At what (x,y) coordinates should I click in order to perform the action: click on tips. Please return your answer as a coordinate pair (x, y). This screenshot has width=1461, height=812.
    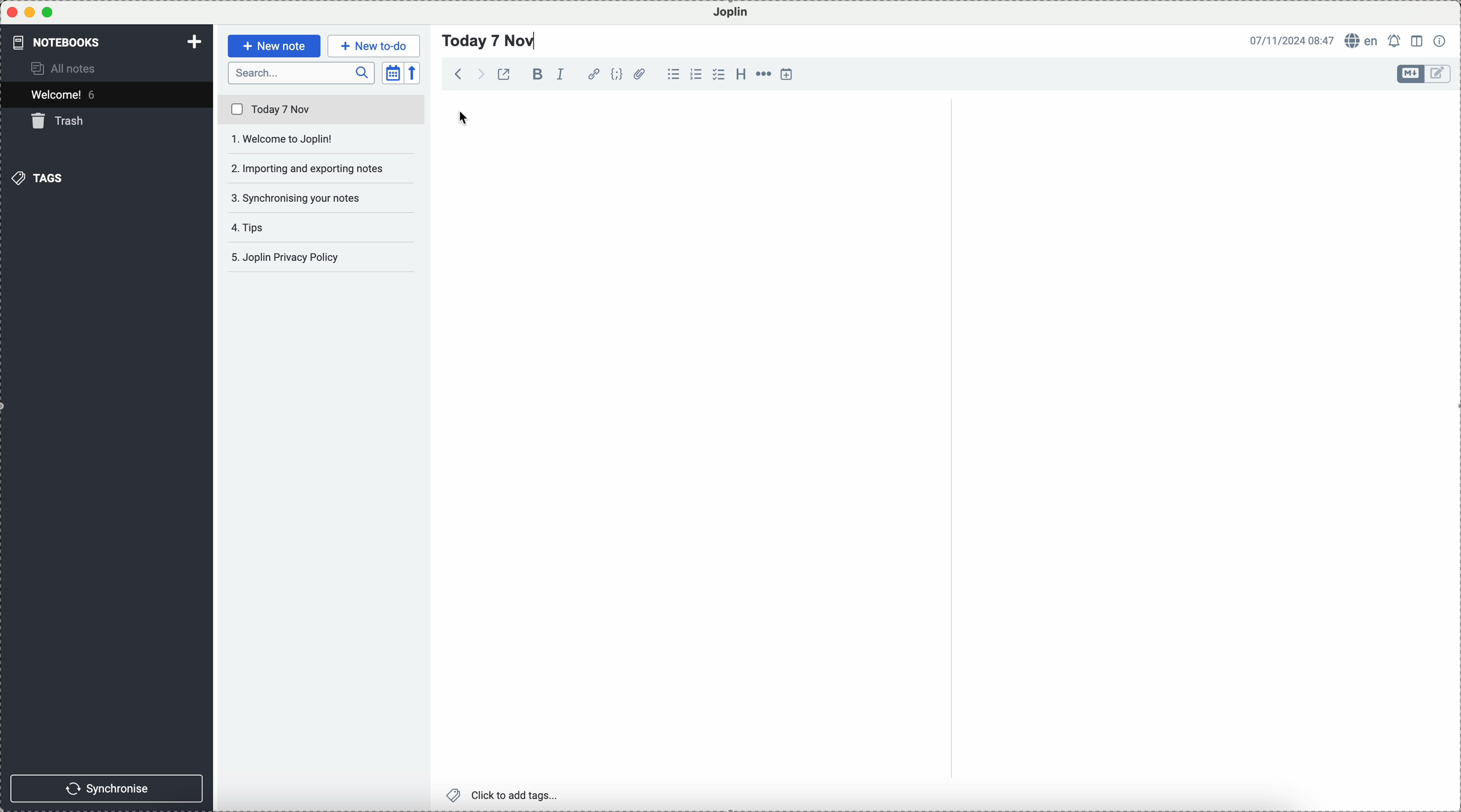
    Looking at the image, I should click on (253, 227).